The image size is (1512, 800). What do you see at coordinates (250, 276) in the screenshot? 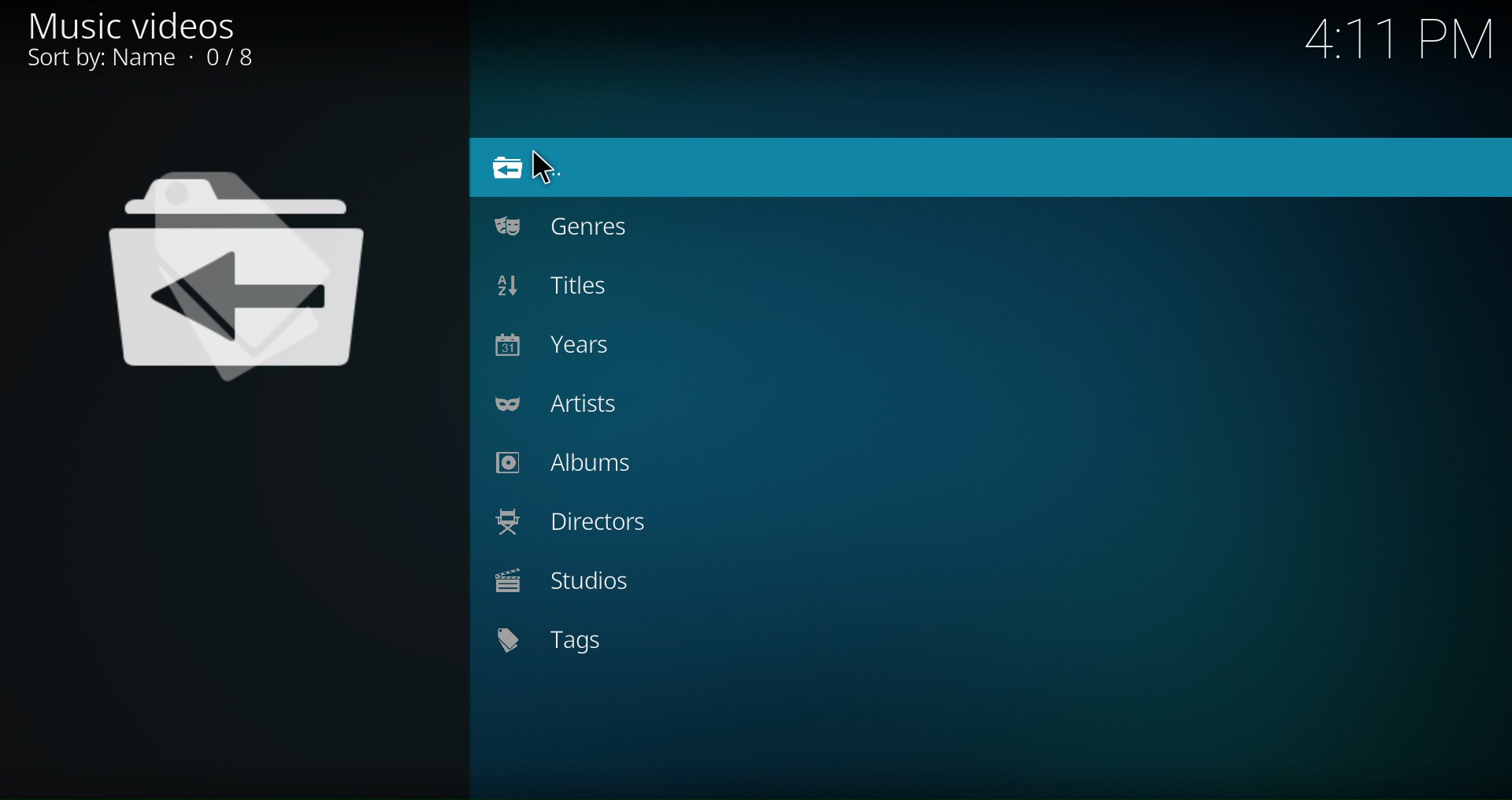
I see `Logo` at bounding box center [250, 276].